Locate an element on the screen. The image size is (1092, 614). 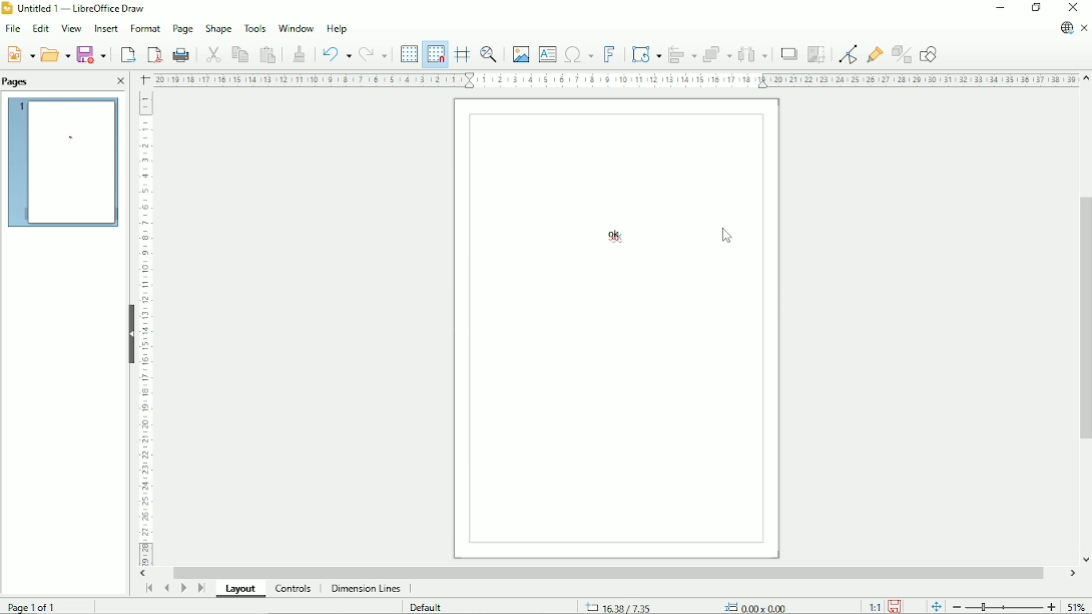
Update available is located at coordinates (1066, 27).